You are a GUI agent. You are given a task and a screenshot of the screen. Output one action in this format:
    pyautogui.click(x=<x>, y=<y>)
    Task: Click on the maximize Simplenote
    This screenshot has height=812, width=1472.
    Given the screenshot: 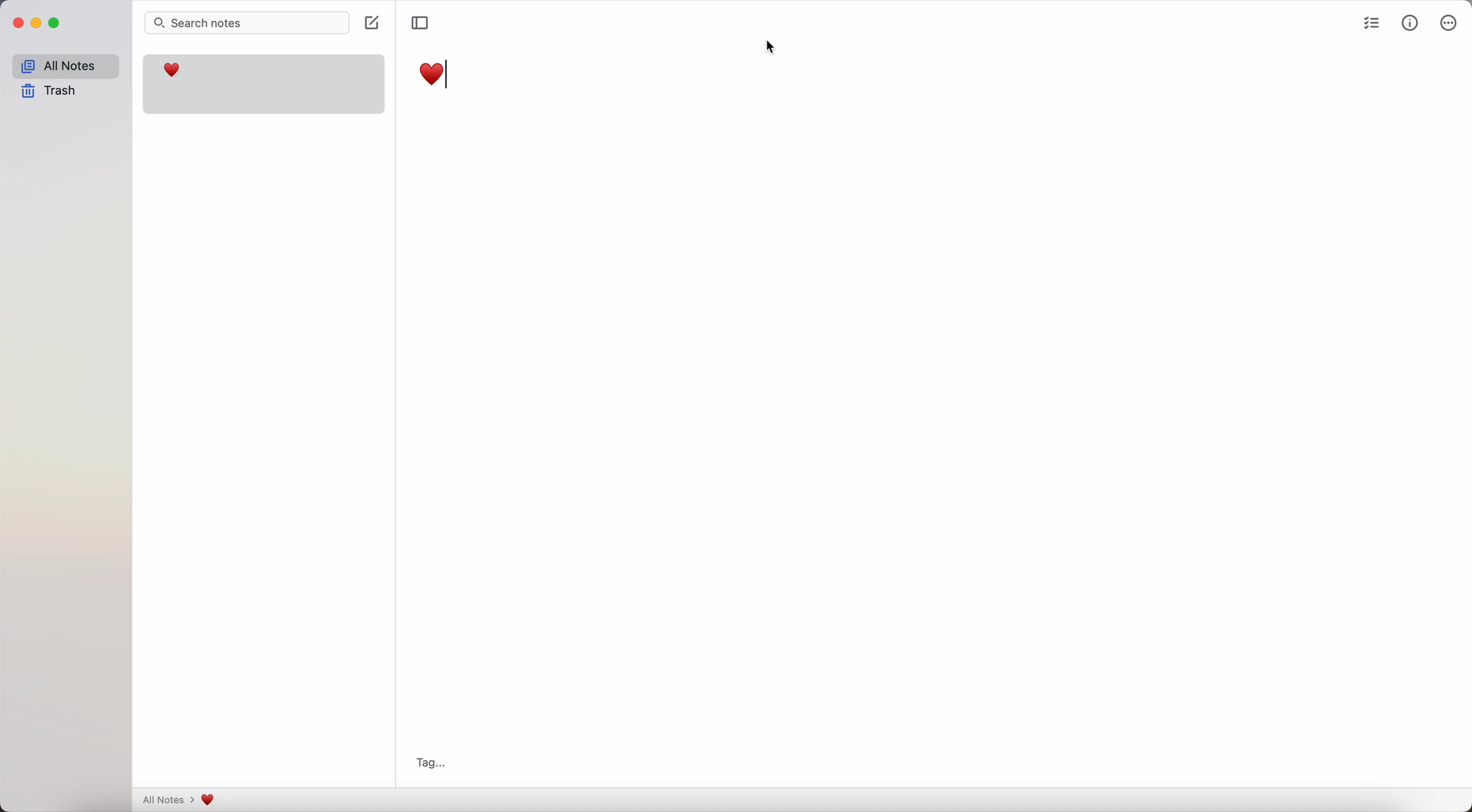 What is the action you would take?
    pyautogui.click(x=56, y=23)
    